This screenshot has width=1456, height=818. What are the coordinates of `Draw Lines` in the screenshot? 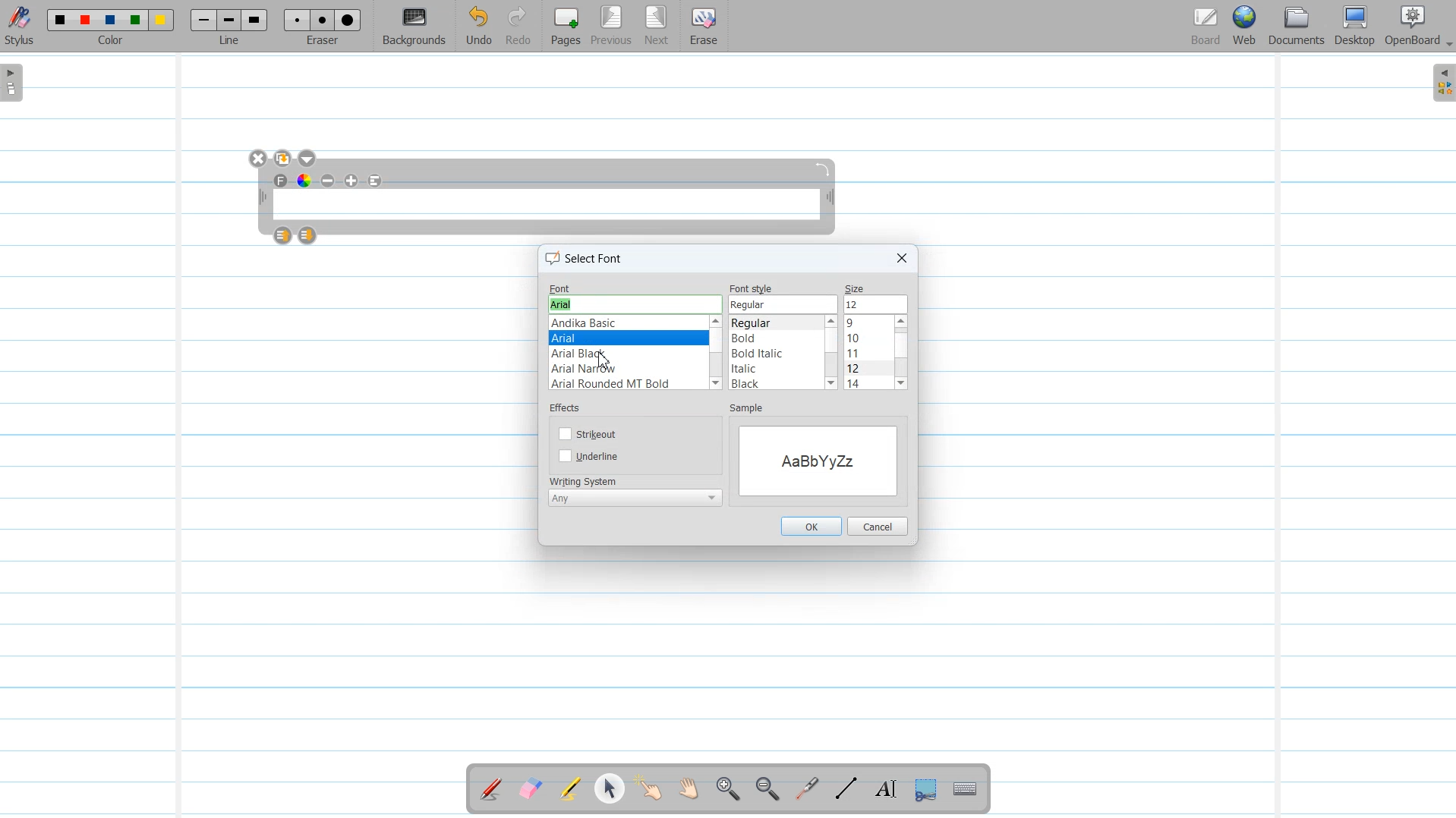 It's located at (846, 789).